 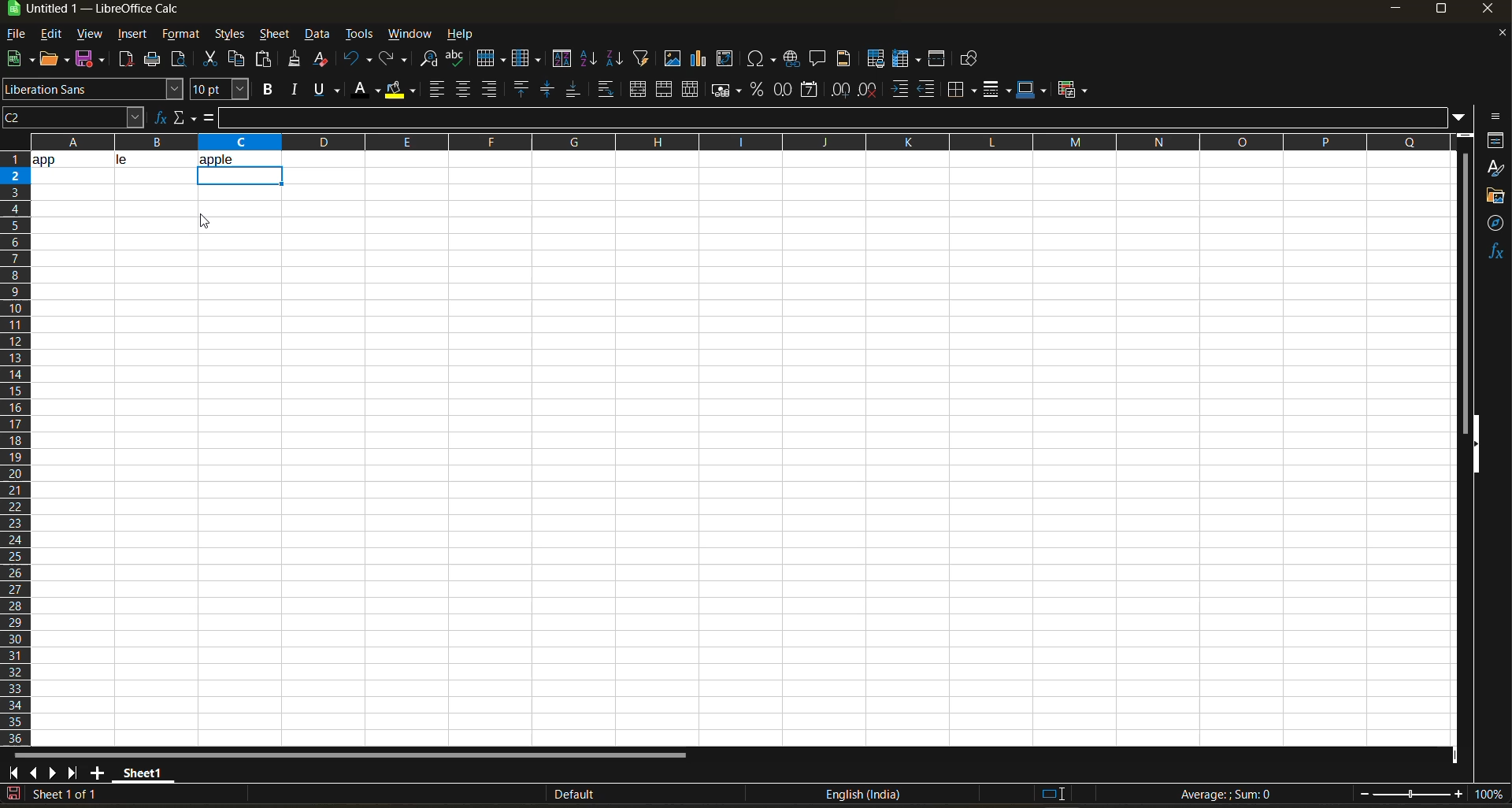 What do you see at coordinates (395, 60) in the screenshot?
I see `redo ` at bounding box center [395, 60].